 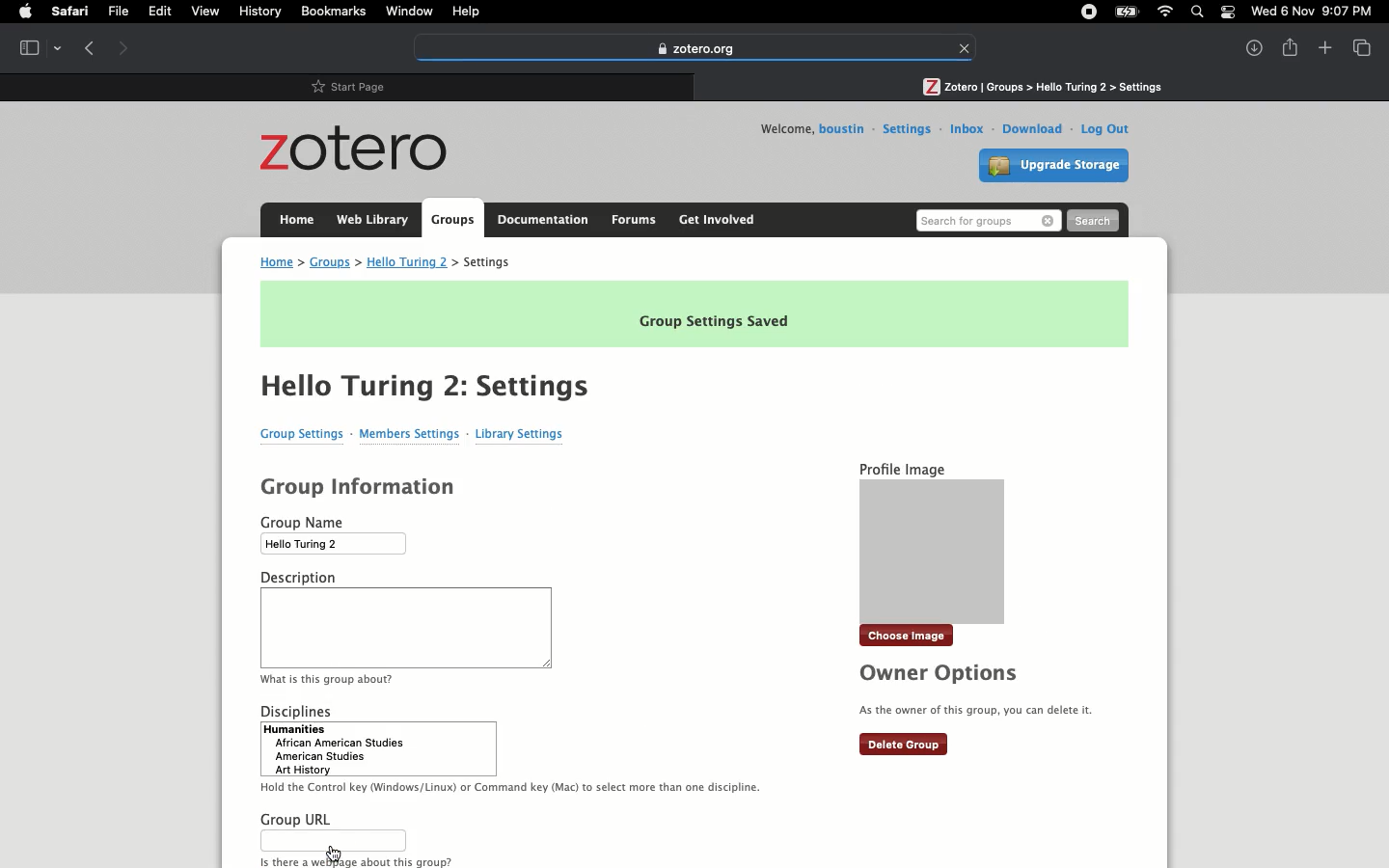 I want to click on Search, so click(x=1198, y=12).